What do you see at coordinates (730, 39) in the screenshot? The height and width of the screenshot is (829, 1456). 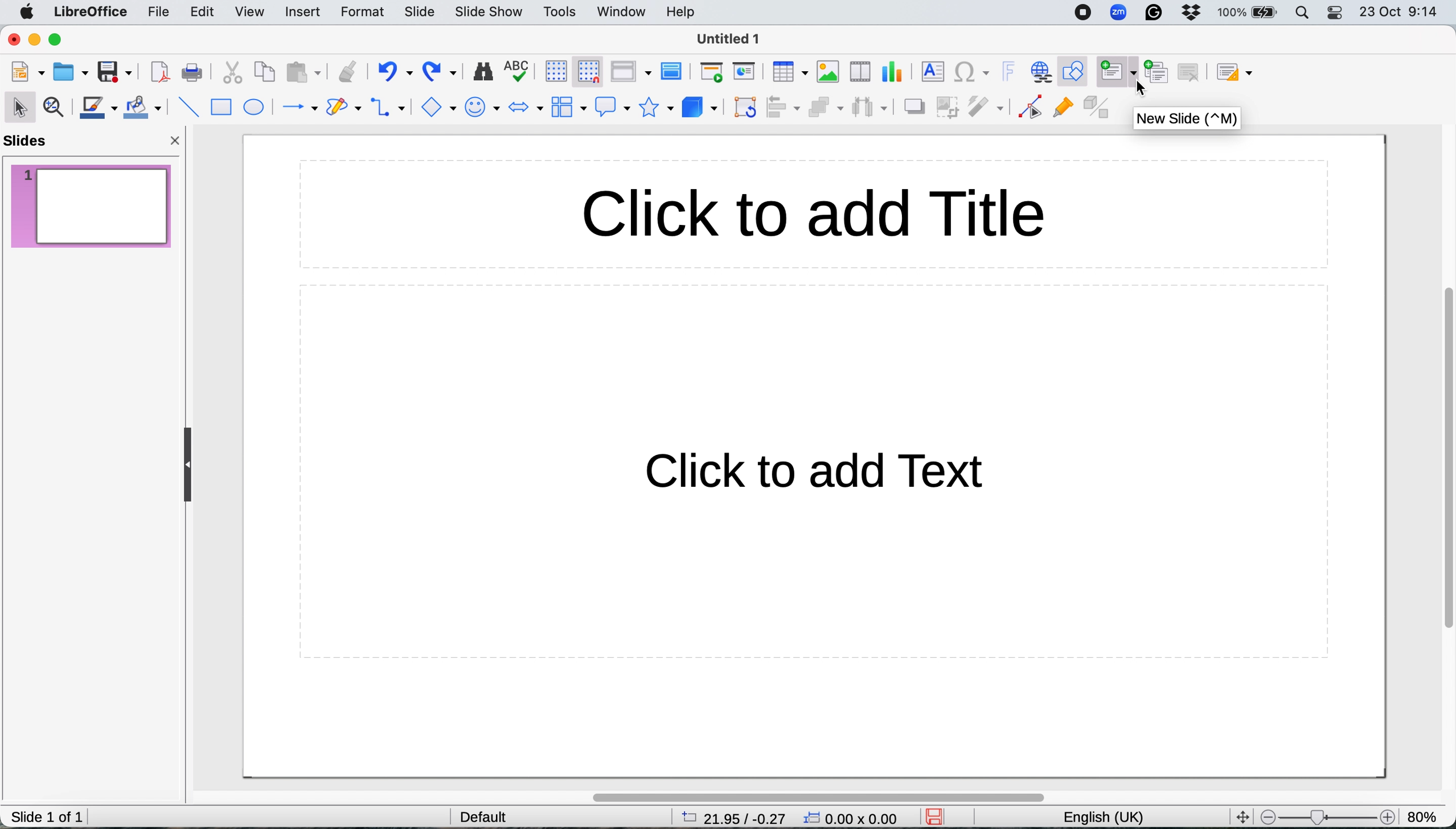 I see `file name` at bounding box center [730, 39].